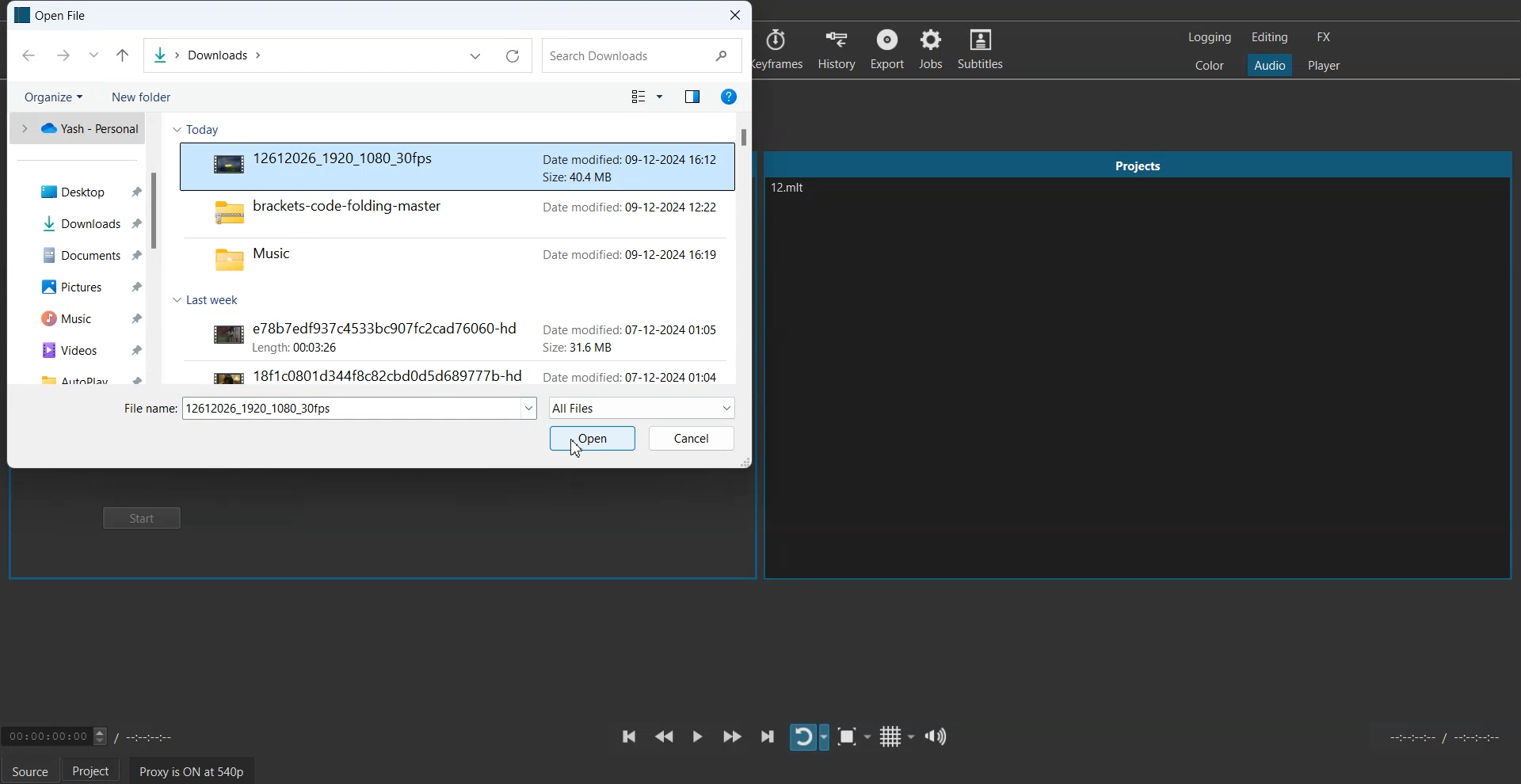 Image resolution: width=1521 pixels, height=784 pixels. I want to click on Show the preview pane, so click(690, 97).